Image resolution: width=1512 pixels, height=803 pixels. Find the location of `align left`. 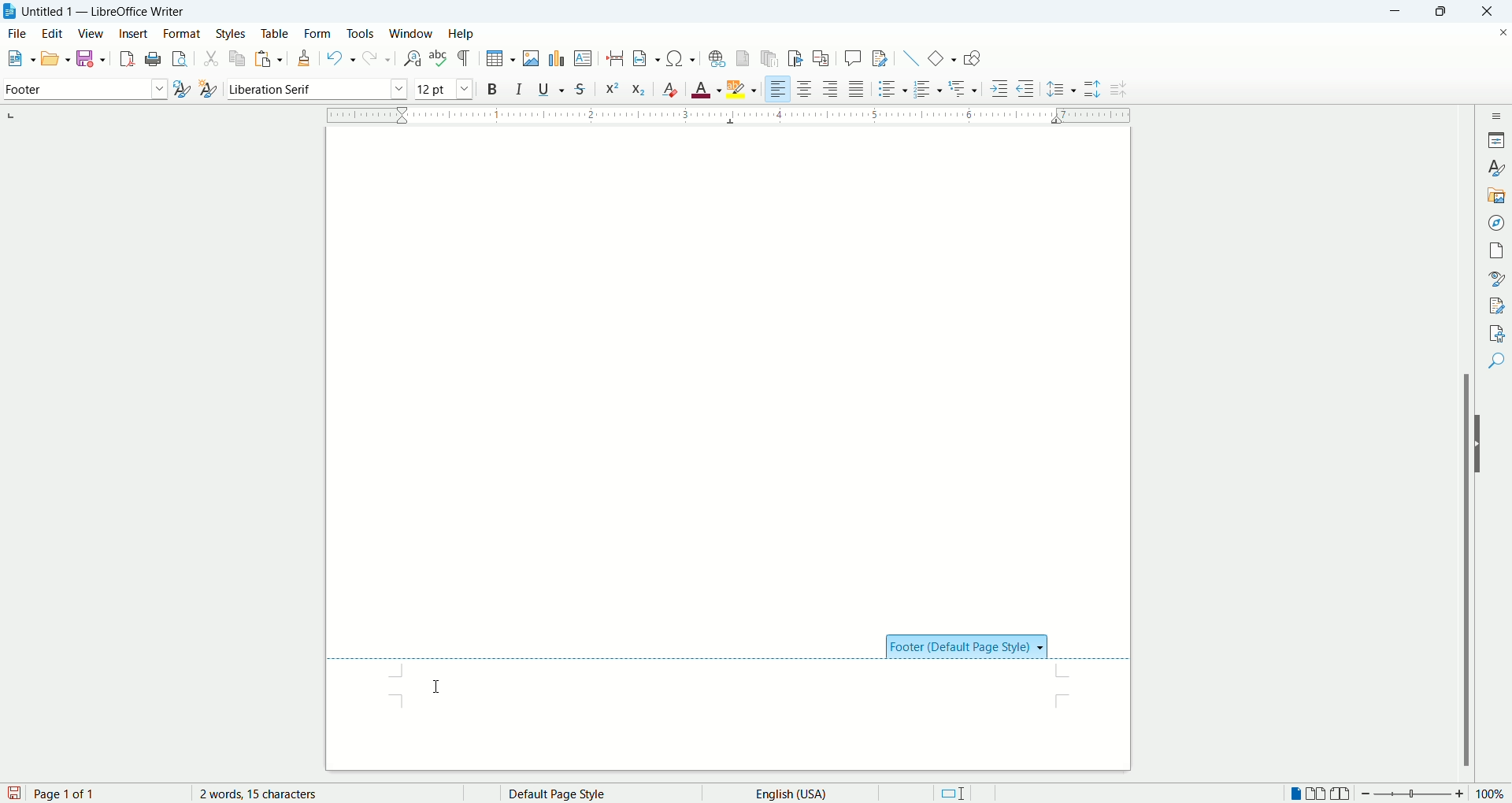

align left is located at coordinates (779, 90).